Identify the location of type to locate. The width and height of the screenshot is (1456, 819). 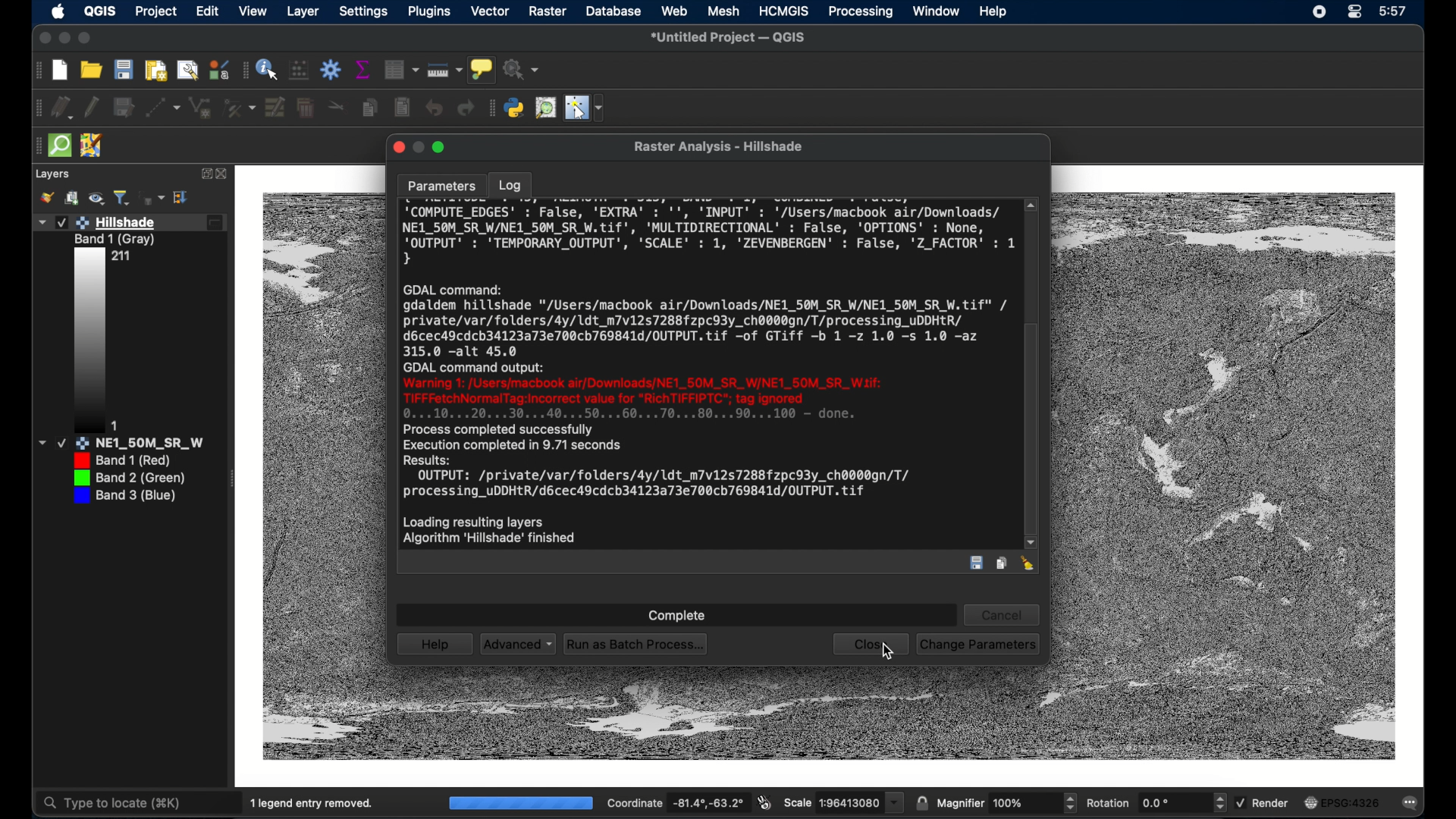
(111, 804).